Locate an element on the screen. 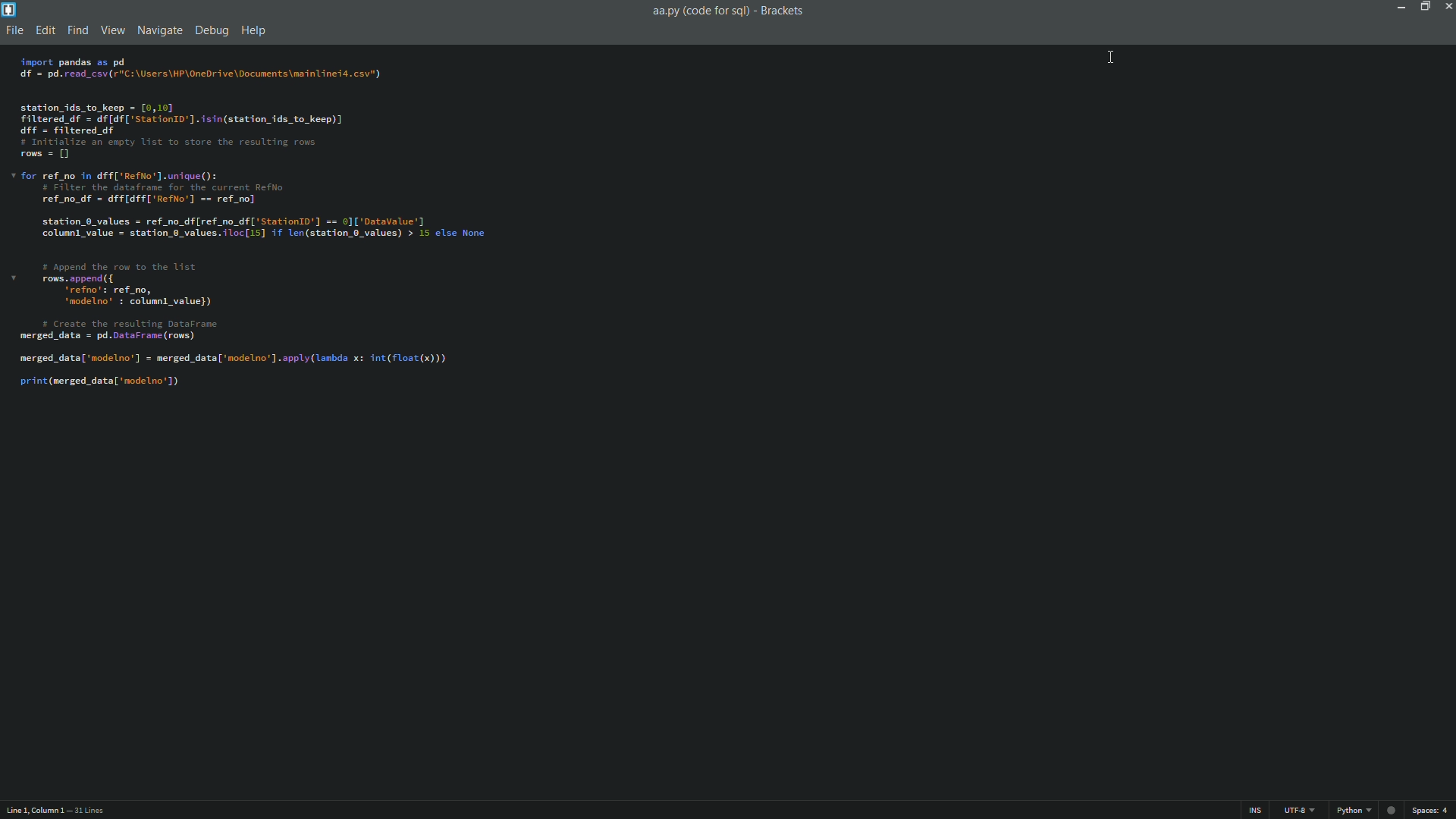 This screenshot has width=1456, height=819. Brackets logo is located at coordinates (10, 11).